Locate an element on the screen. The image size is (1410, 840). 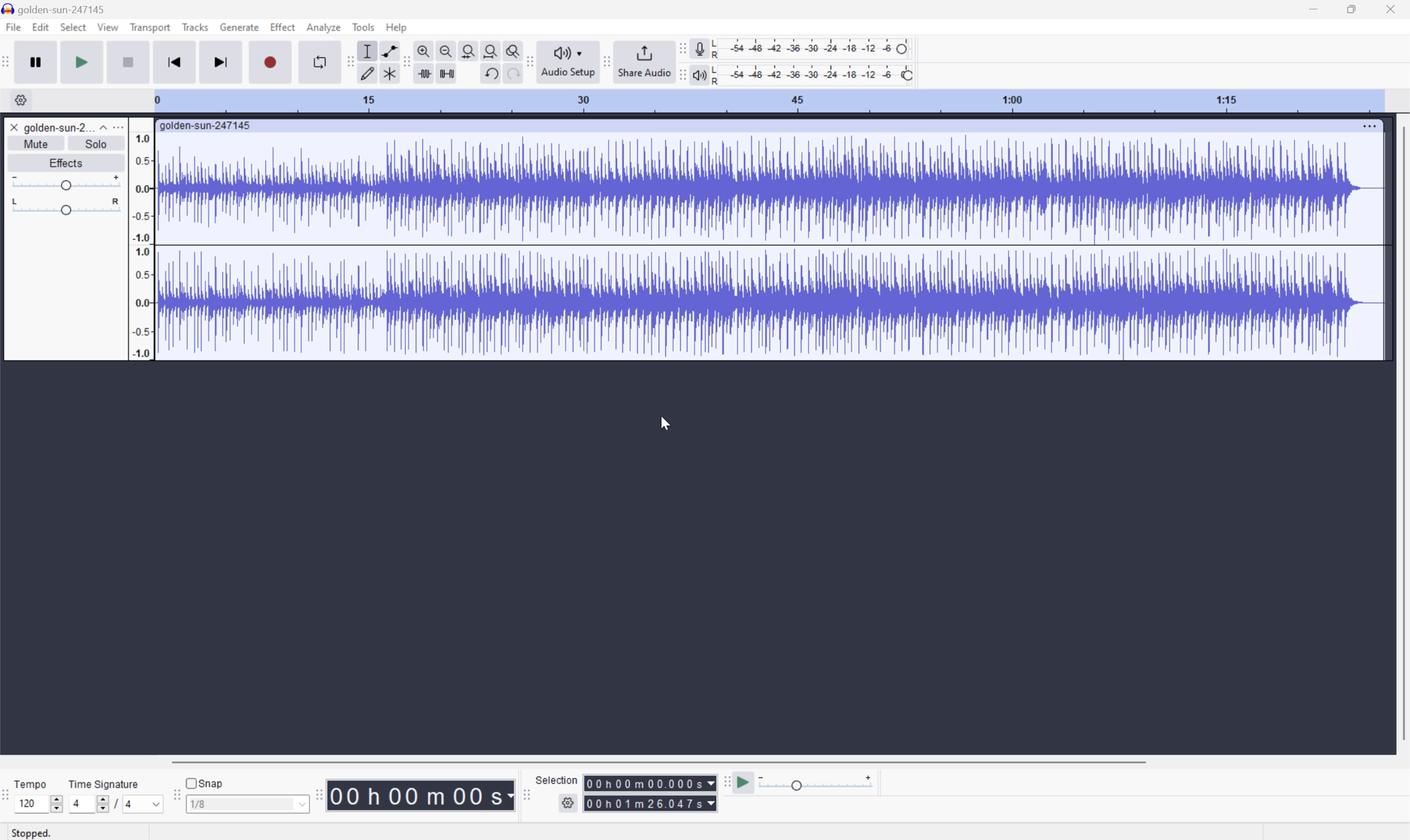
View is located at coordinates (109, 28).